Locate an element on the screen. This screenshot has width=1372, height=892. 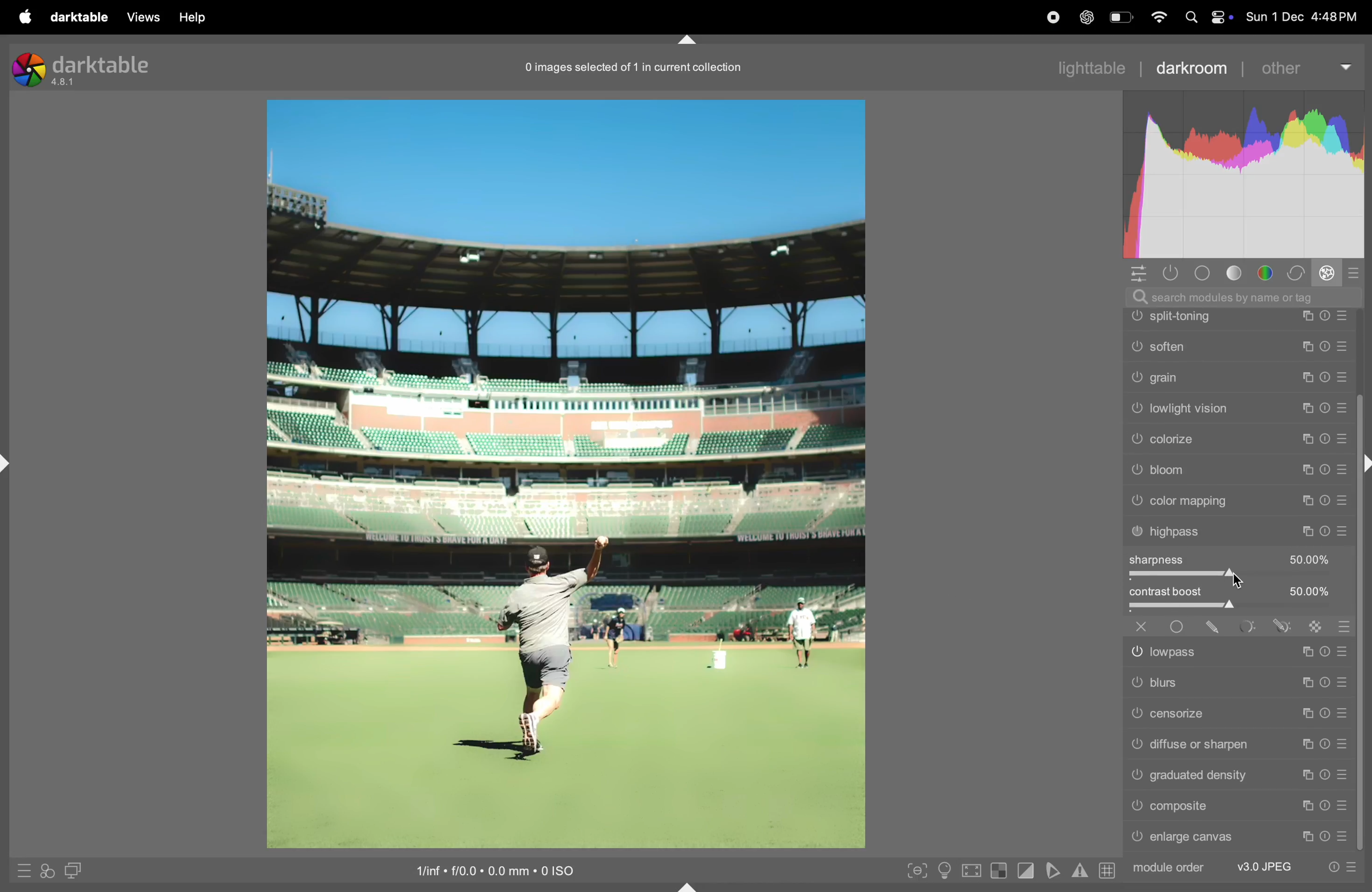
markdown is located at coordinates (694, 40).